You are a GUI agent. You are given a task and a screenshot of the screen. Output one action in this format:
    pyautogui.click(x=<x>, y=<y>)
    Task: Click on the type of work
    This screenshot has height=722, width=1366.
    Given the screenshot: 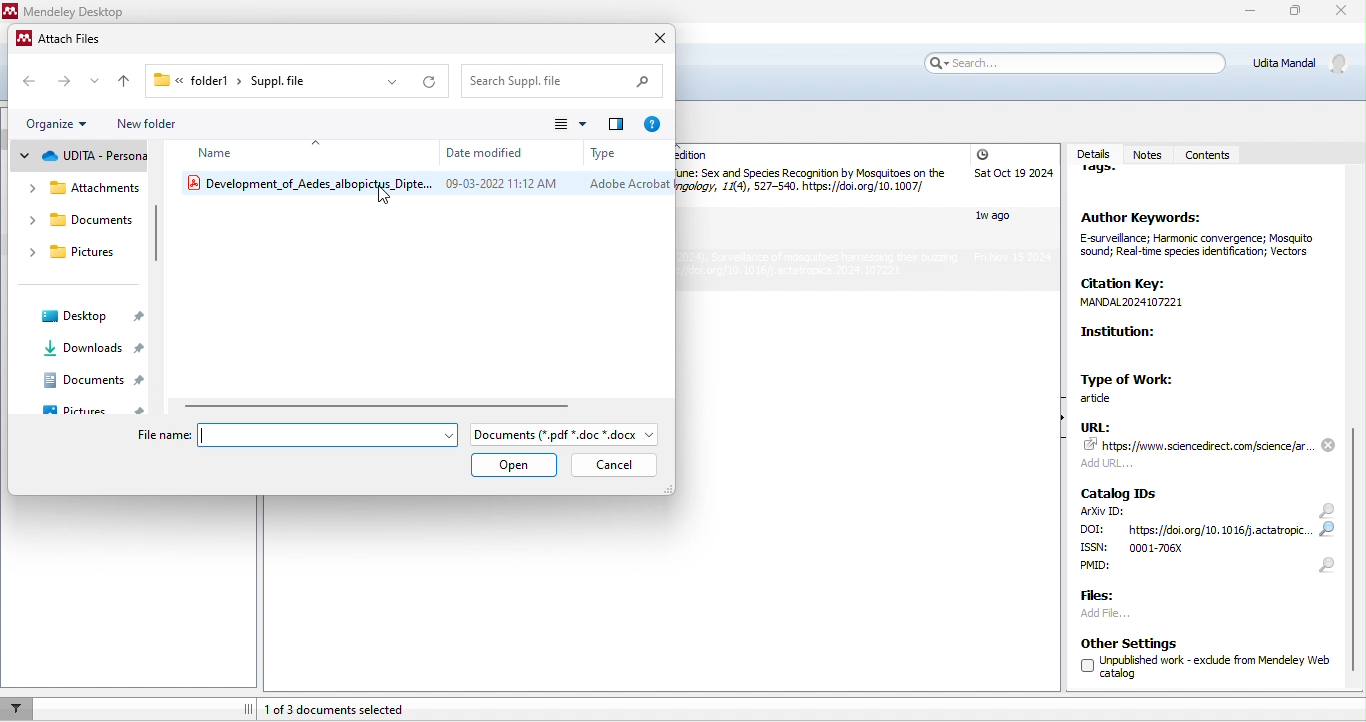 What is the action you would take?
    pyautogui.click(x=1136, y=386)
    